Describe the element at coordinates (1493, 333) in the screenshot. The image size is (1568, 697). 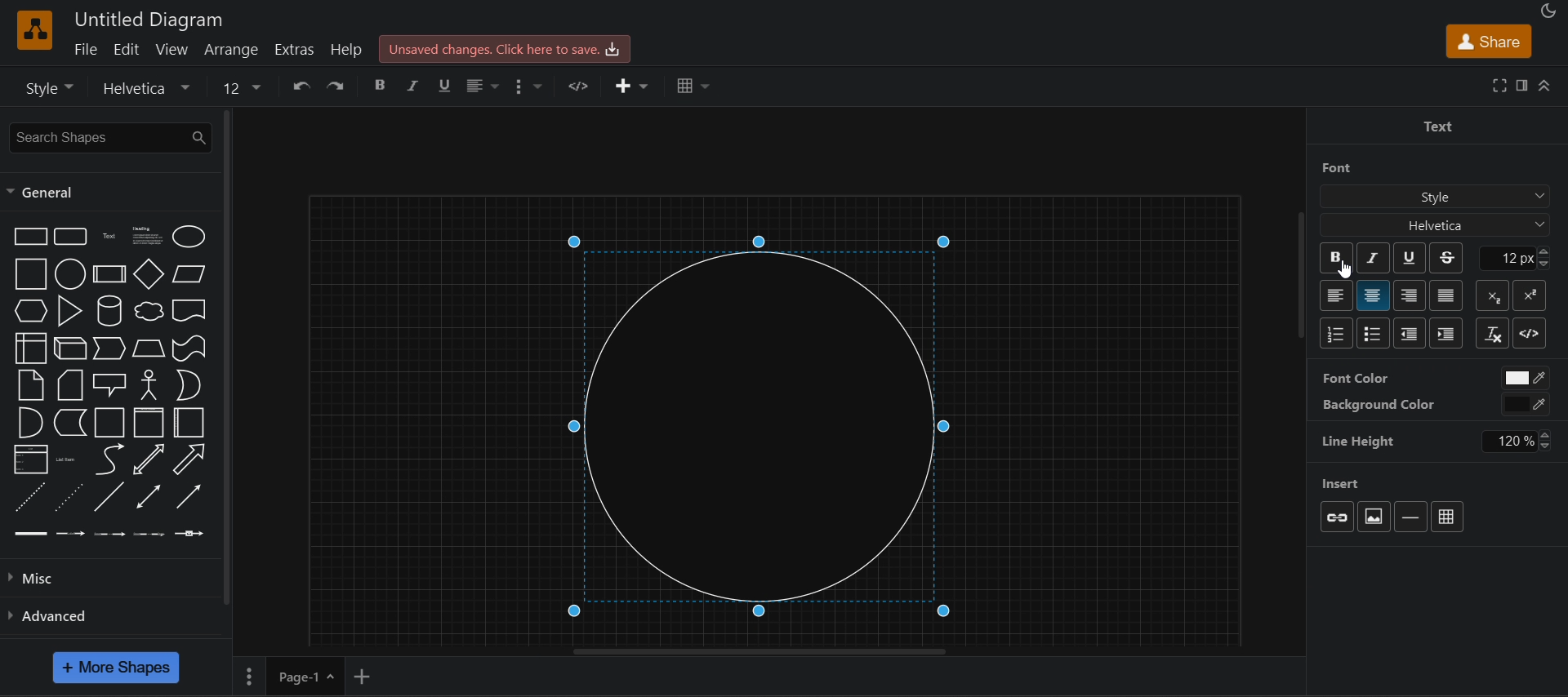
I see `clear formatting` at that location.